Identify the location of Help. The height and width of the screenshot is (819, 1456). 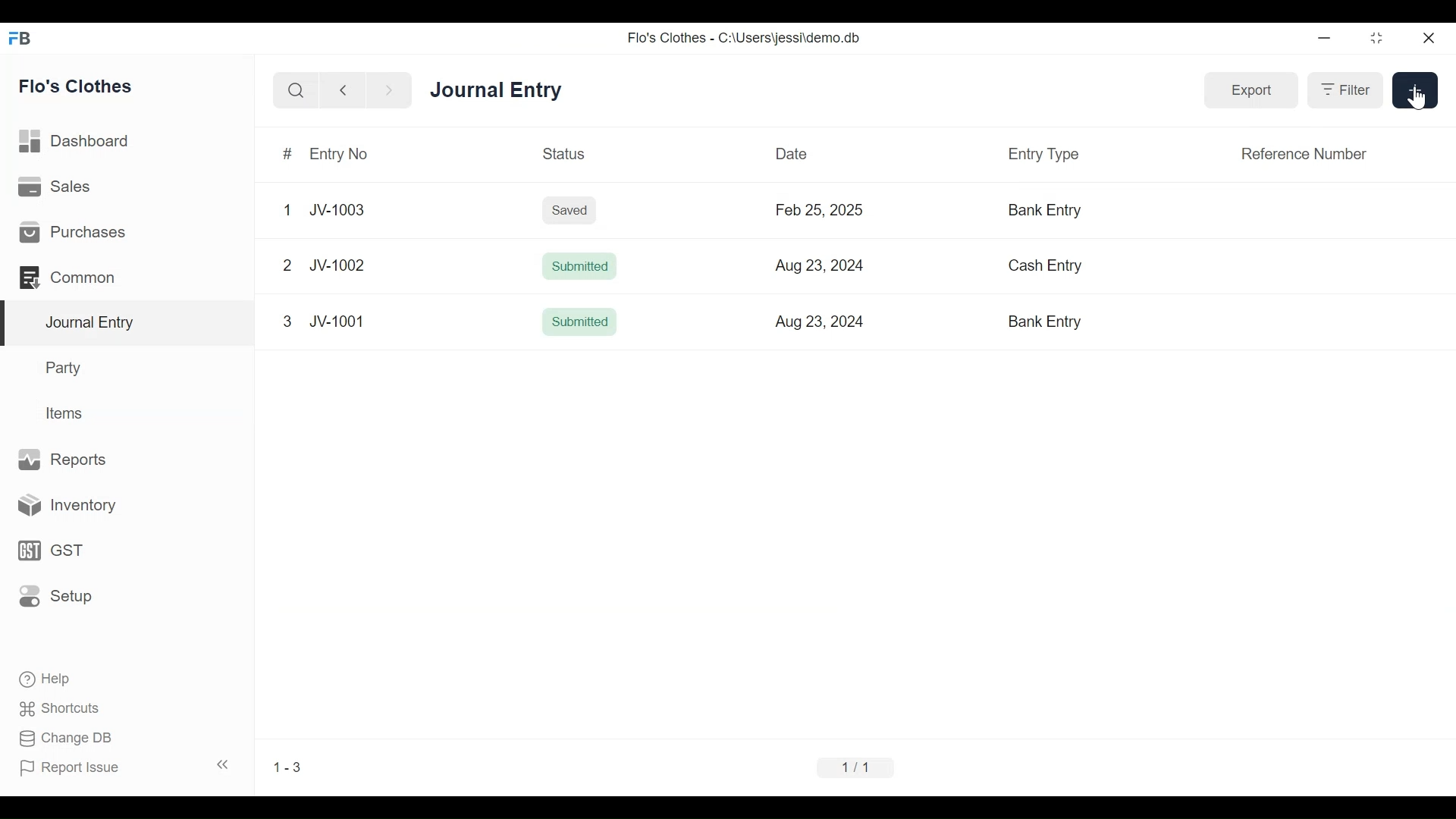
(43, 677).